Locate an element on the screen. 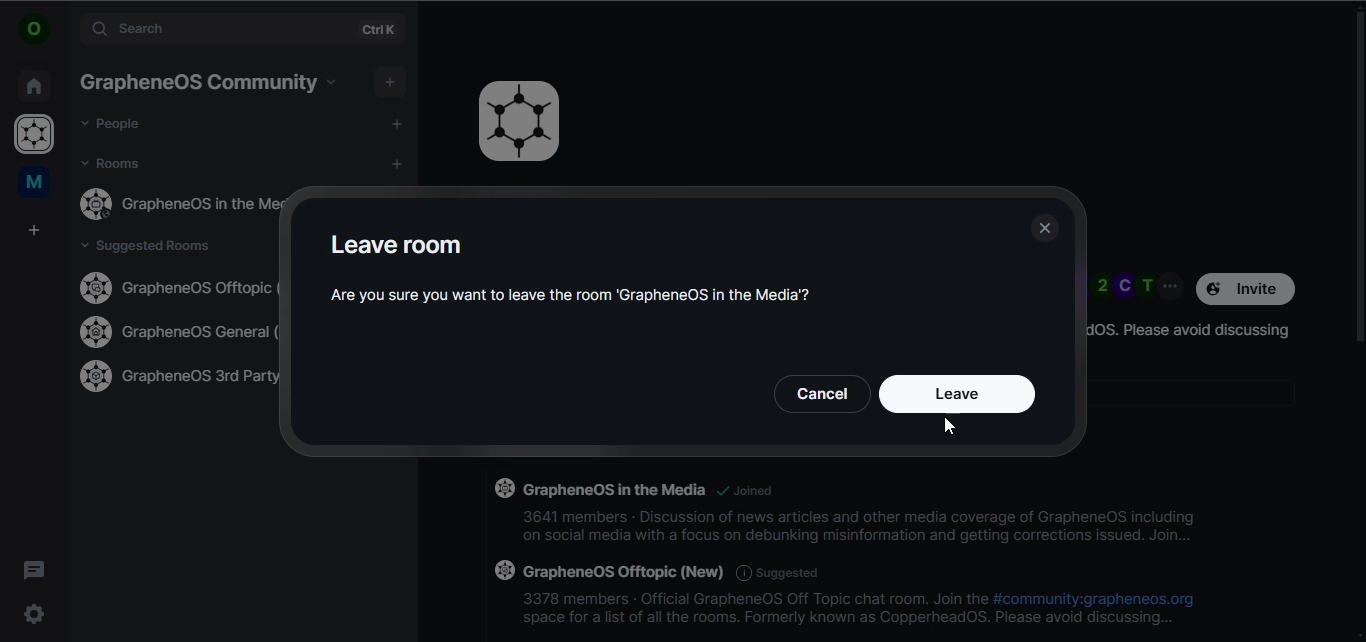 This screenshot has width=1366, height=642. scrolbar is located at coordinates (1357, 171).